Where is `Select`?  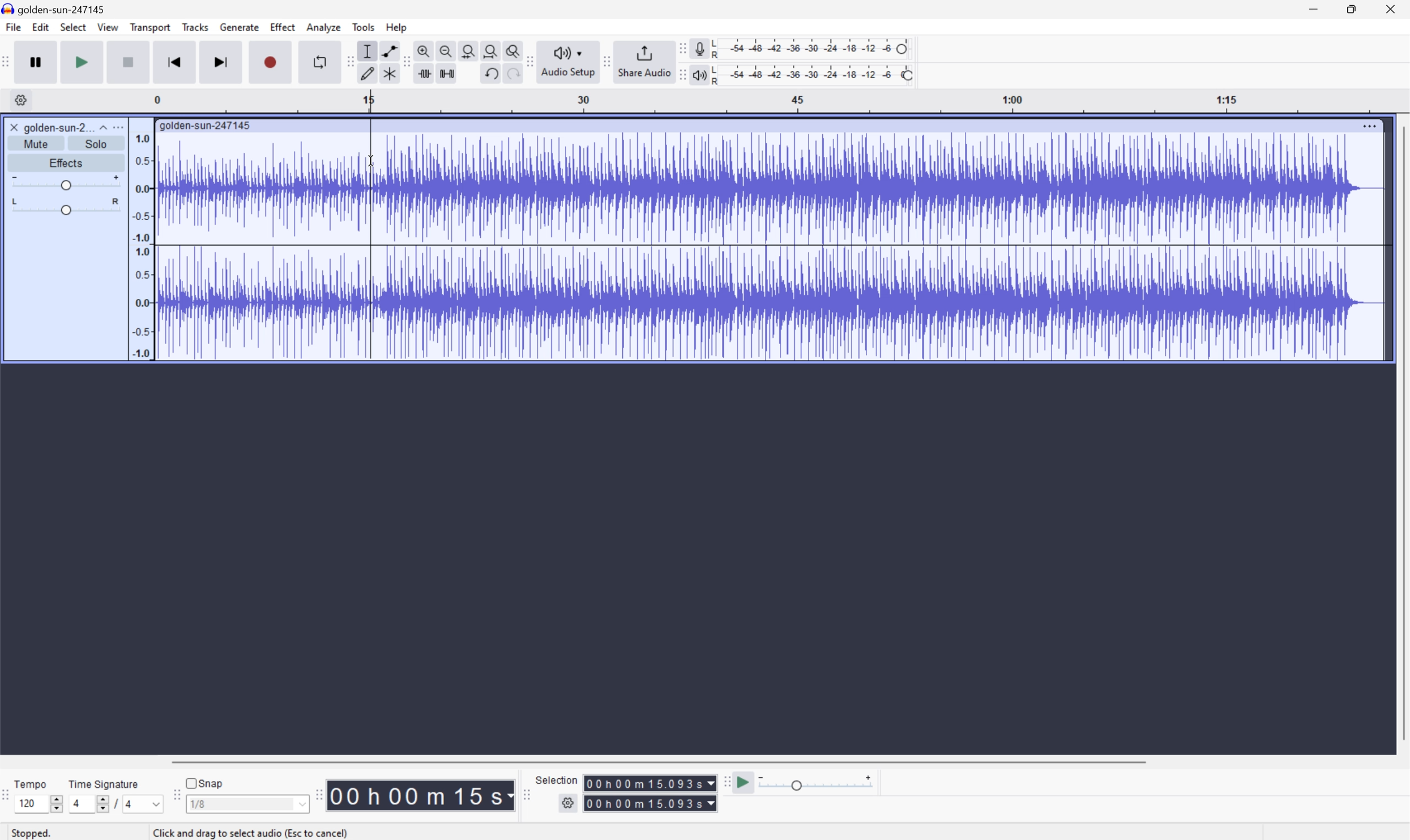 Select is located at coordinates (73, 28).